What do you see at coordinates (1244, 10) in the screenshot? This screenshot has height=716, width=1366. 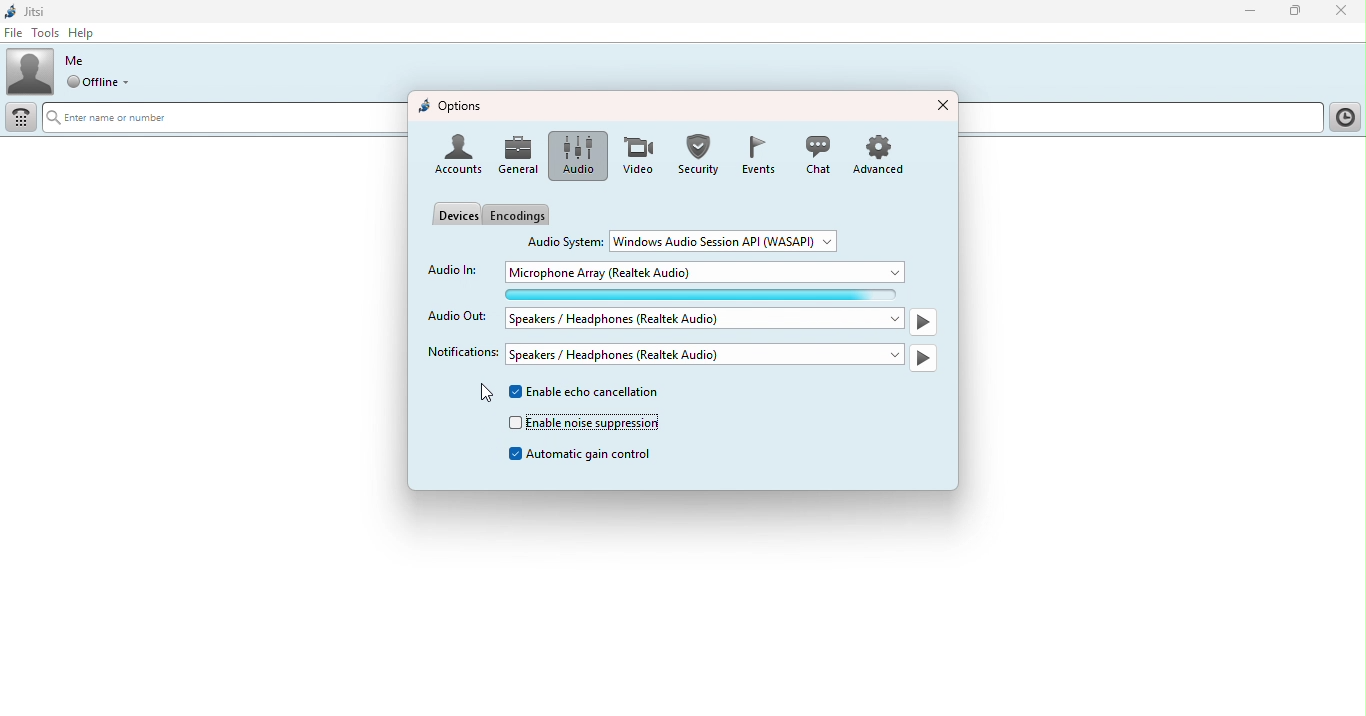 I see `Minimize` at bounding box center [1244, 10].